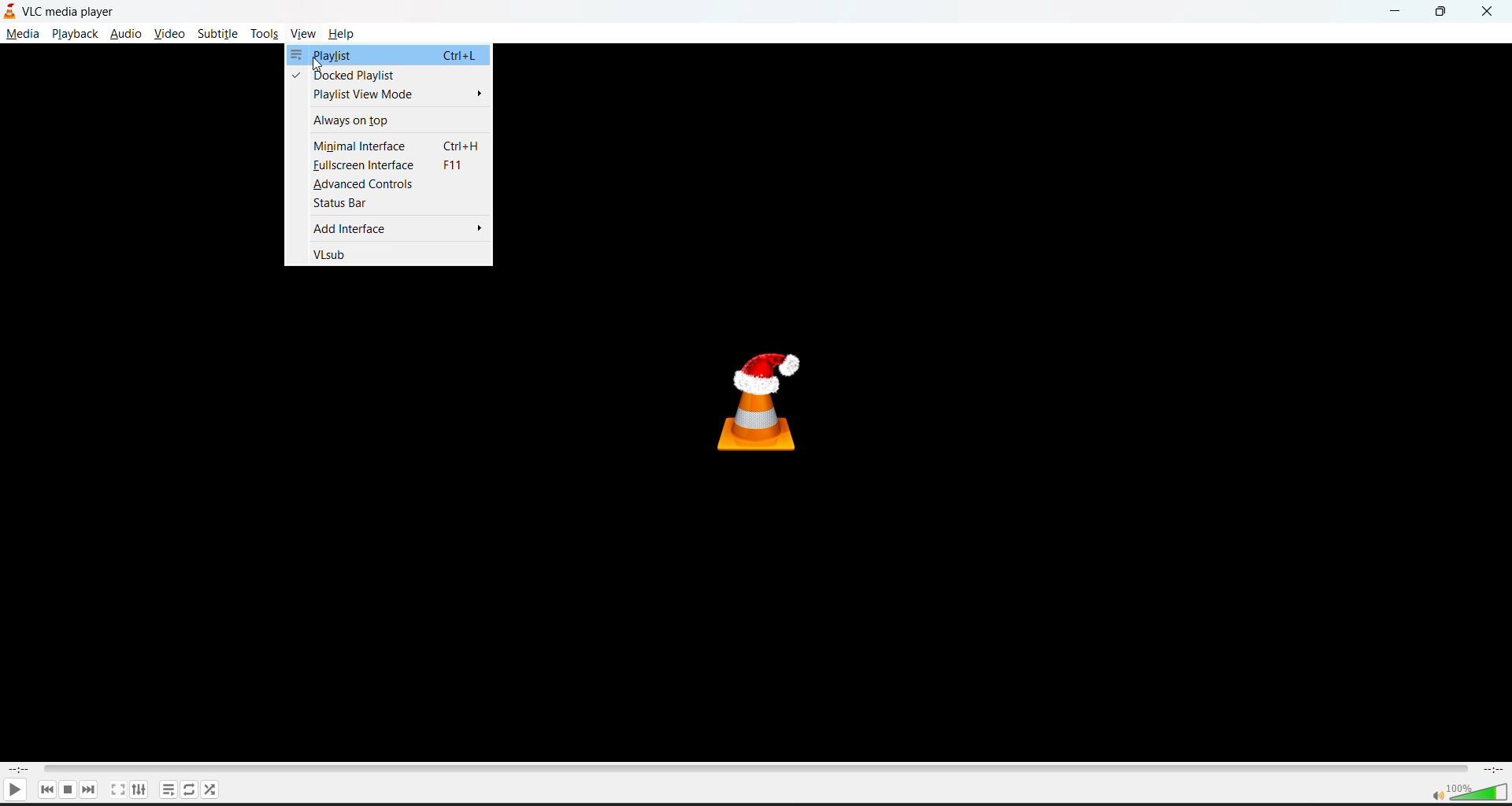 The width and height of the screenshot is (1512, 806). Describe the element at coordinates (217, 33) in the screenshot. I see `subtitle` at that location.